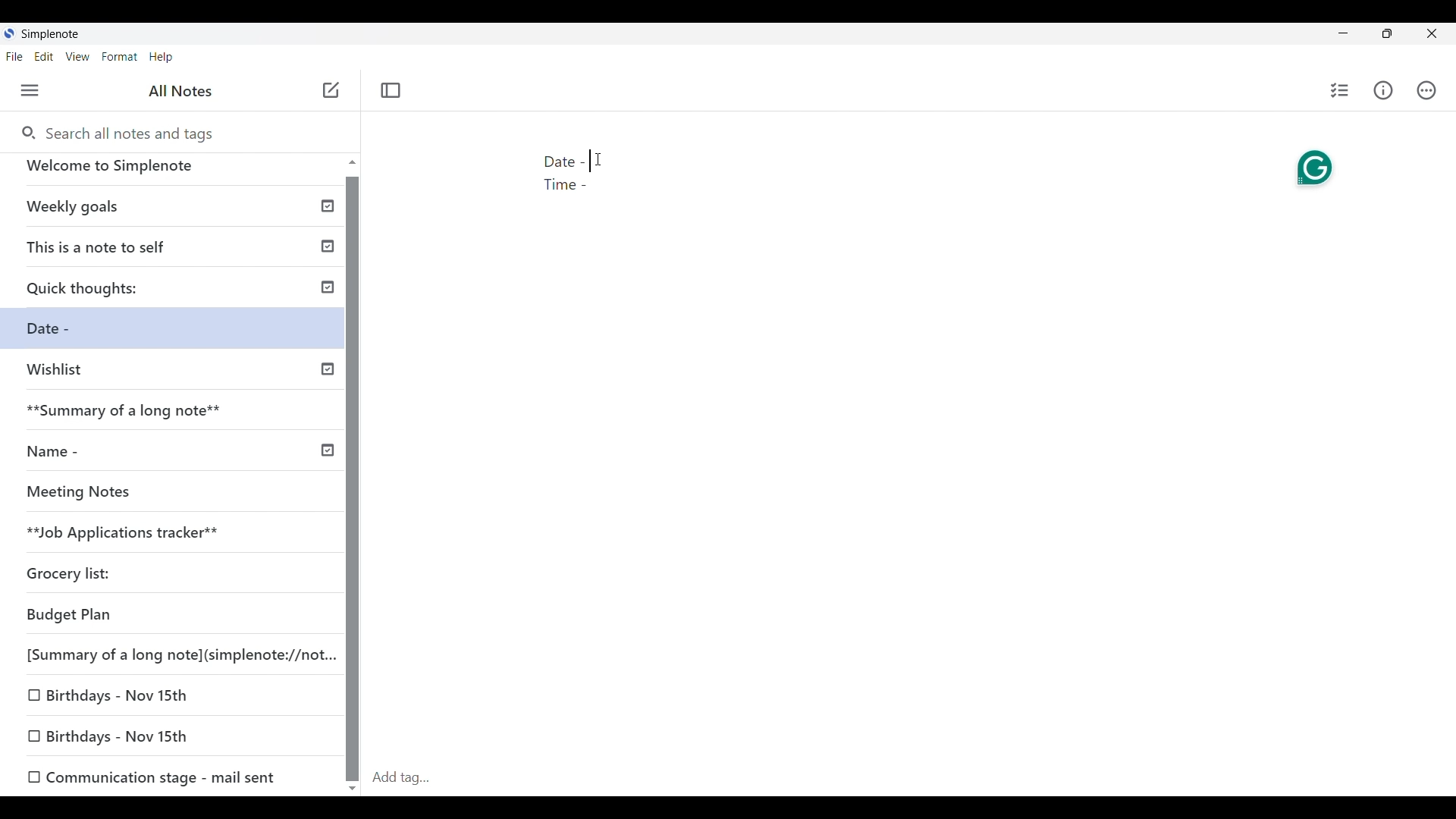 This screenshot has height=819, width=1456. What do you see at coordinates (391, 91) in the screenshot?
I see `Toggle focus mode` at bounding box center [391, 91].